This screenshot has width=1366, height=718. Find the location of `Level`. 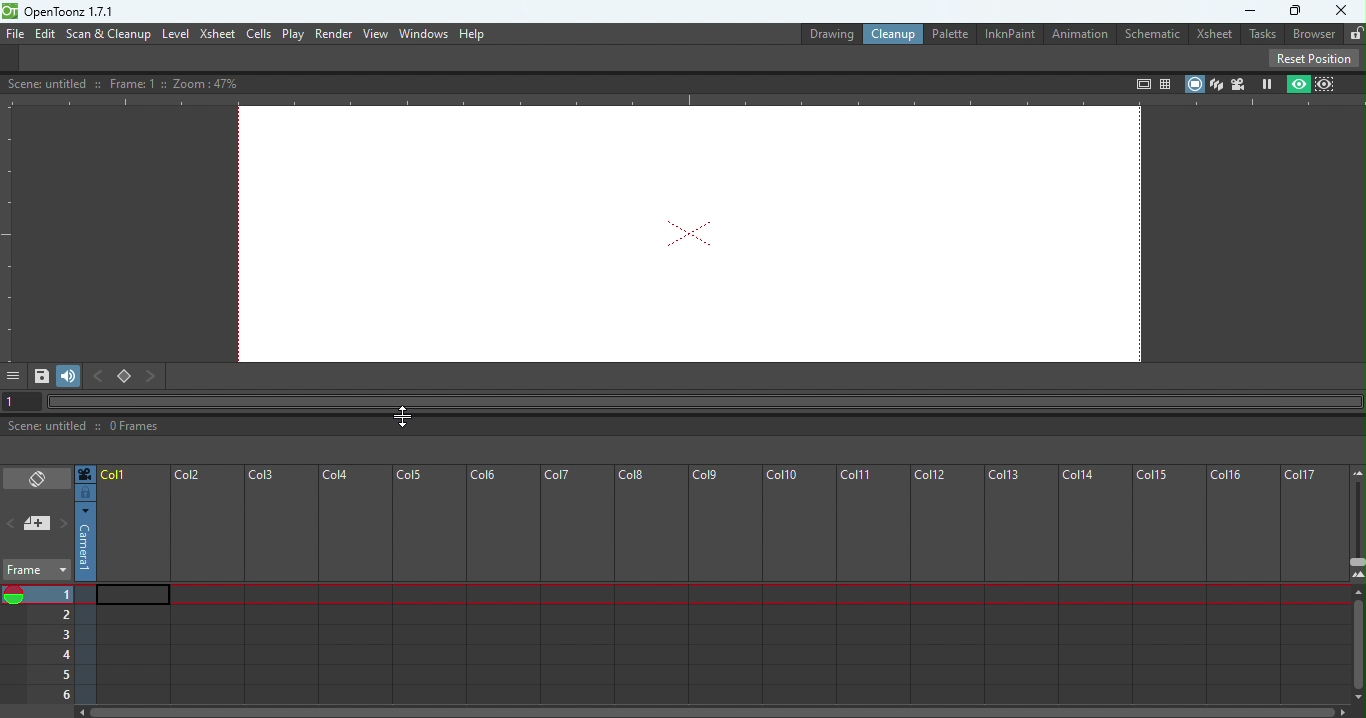

Level is located at coordinates (176, 33).